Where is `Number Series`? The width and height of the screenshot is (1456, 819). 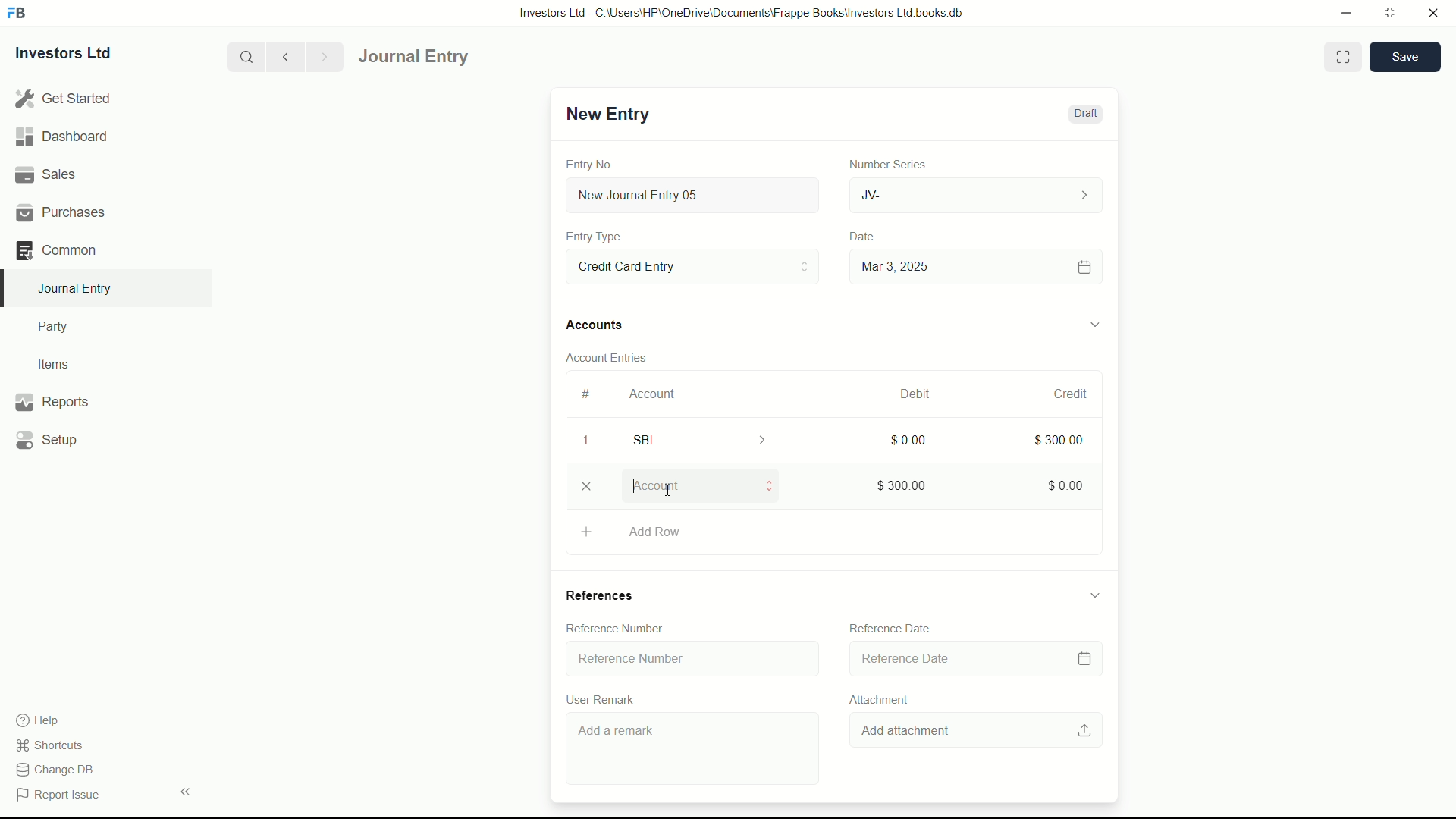
Number Series is located at coordinates (881, 163).